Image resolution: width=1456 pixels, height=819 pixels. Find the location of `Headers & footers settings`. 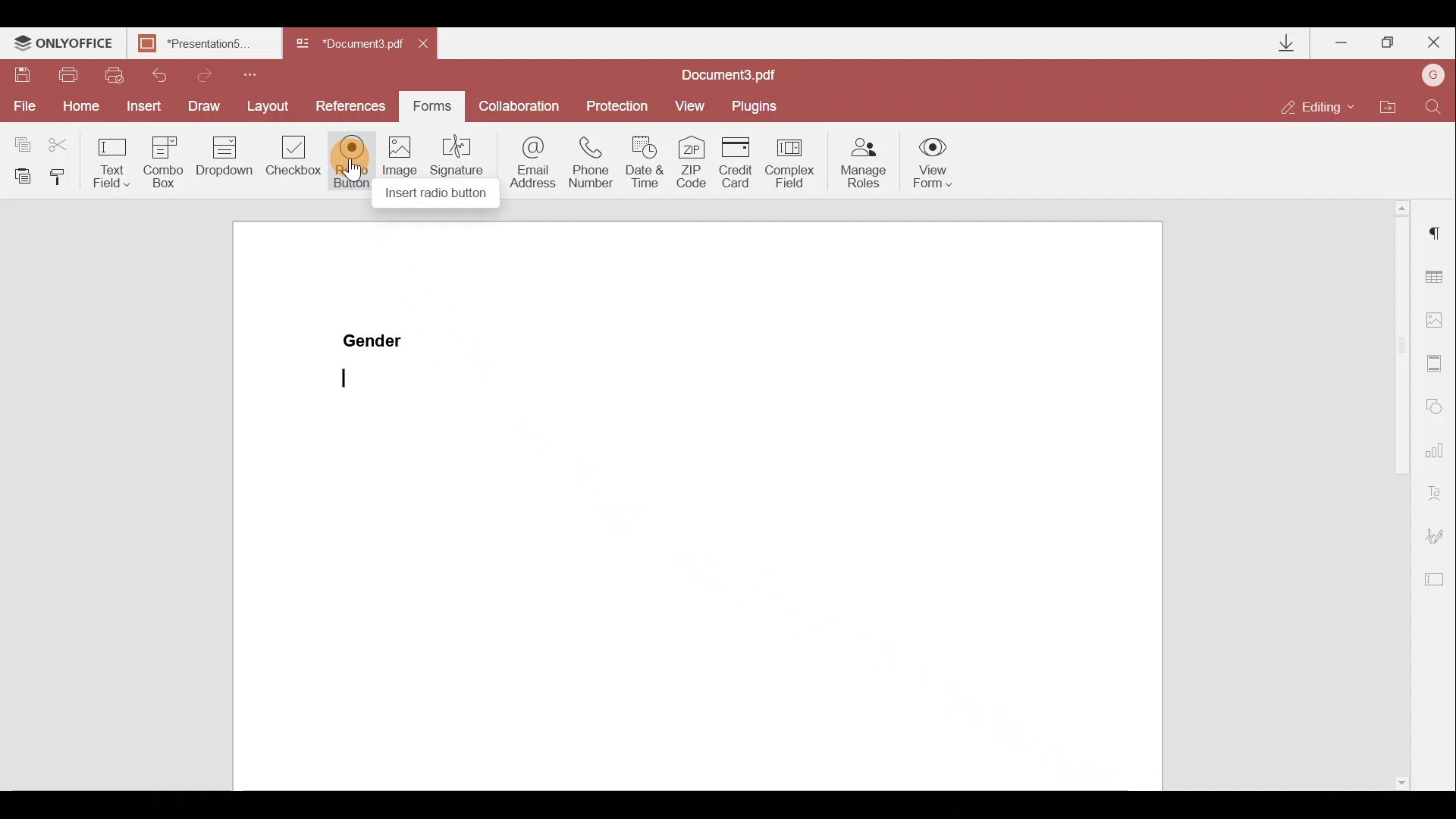

Headers & footers settings is located at coordinates (1436, 366).